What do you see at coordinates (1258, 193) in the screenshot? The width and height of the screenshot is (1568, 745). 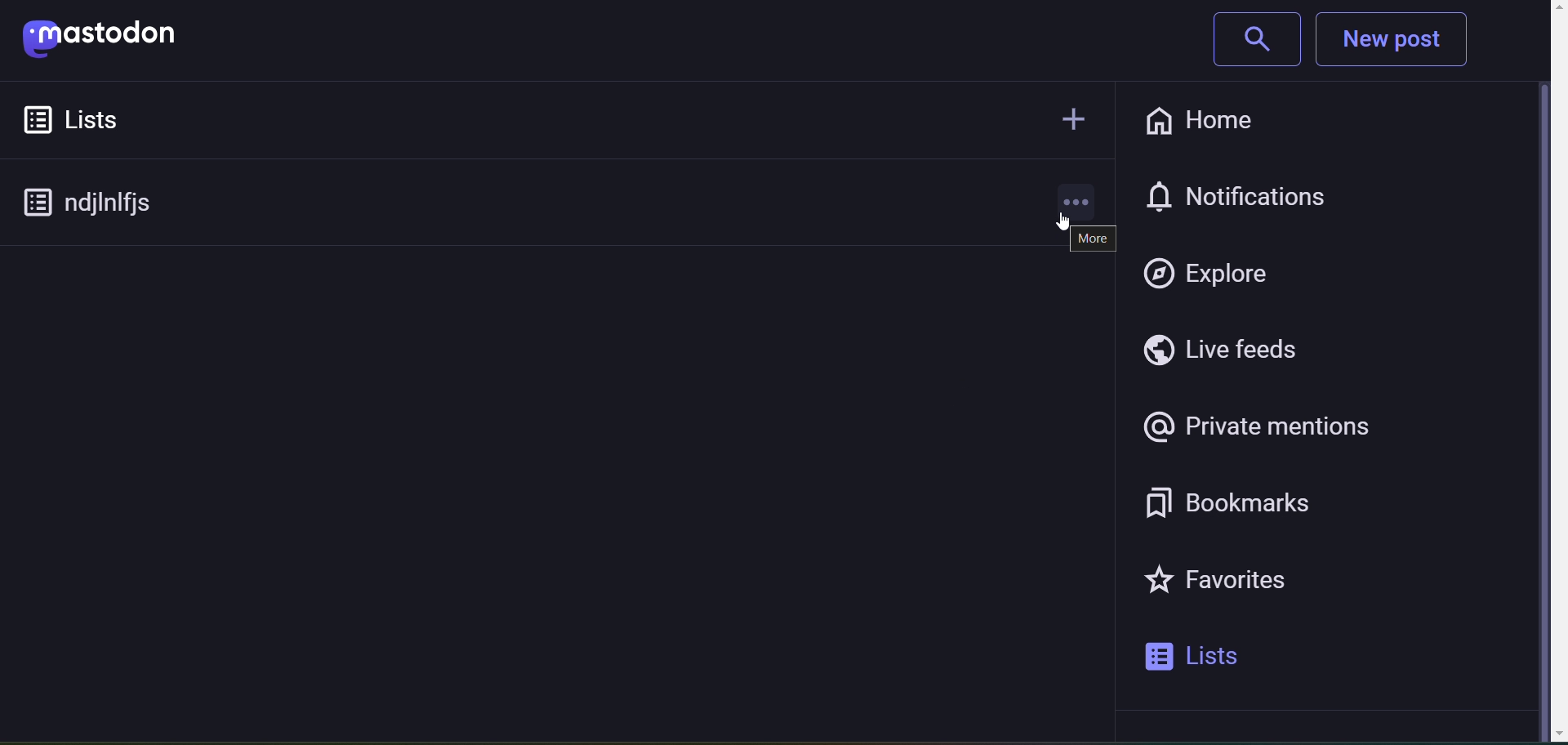 I see `notification` at bounding box center [1258, 193].